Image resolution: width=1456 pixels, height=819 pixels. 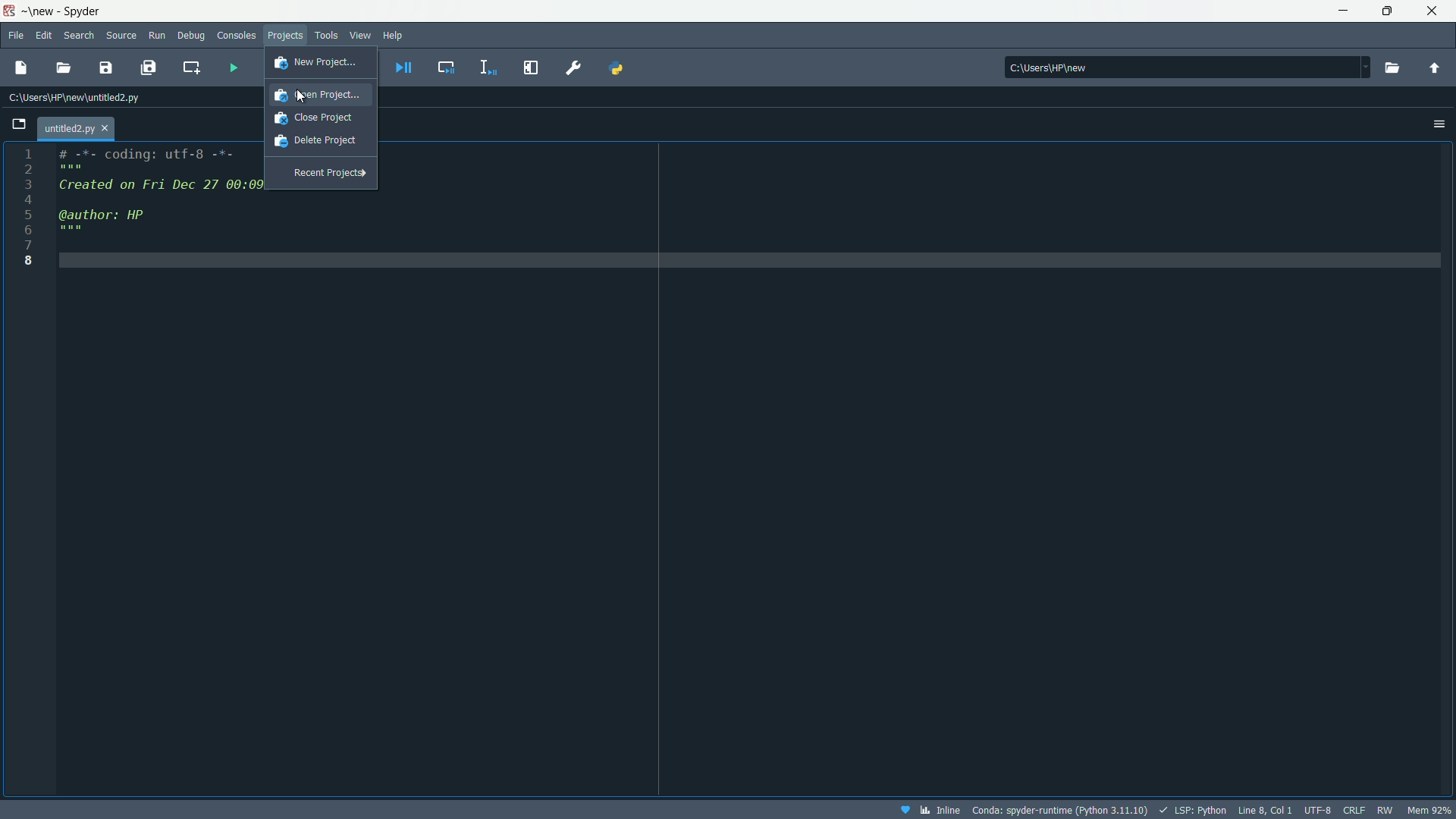 I want to click on Preferences, so click(x=573, y=65).